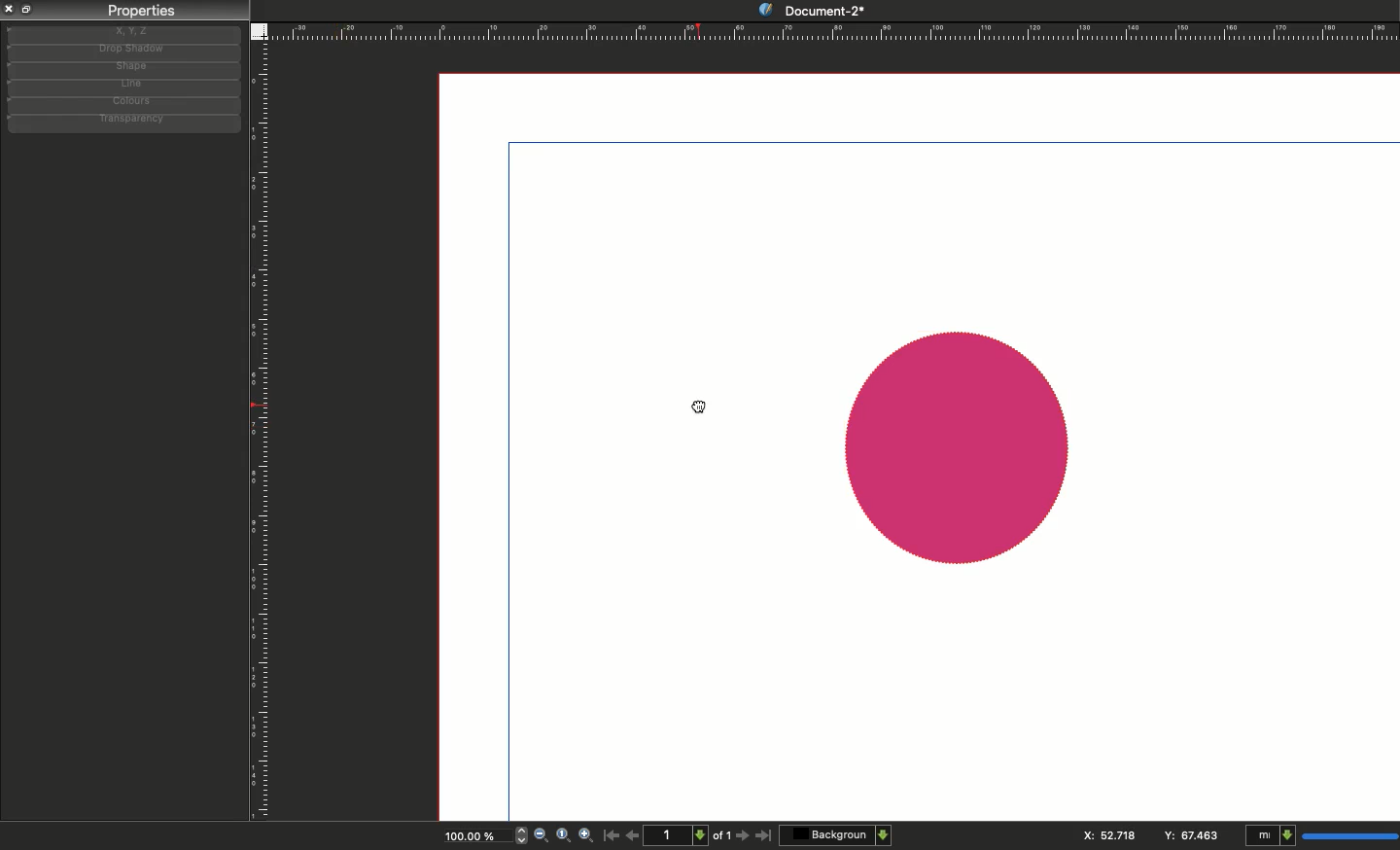 The height and width of the screenshot is (850, 1400). Describe the element at coordinates (123, 31) in the screenshot. I see `X, y, z` at that location.